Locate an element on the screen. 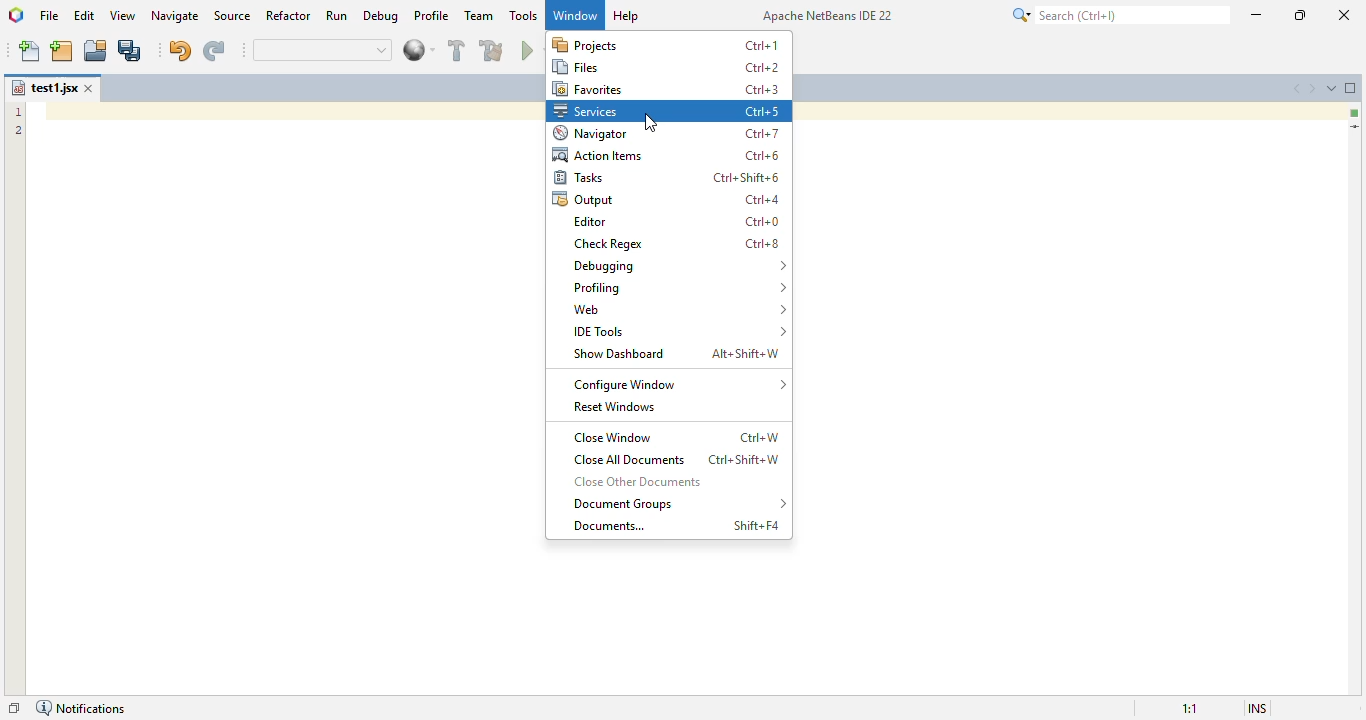  quick search bar is located at coordinates (322, 50).